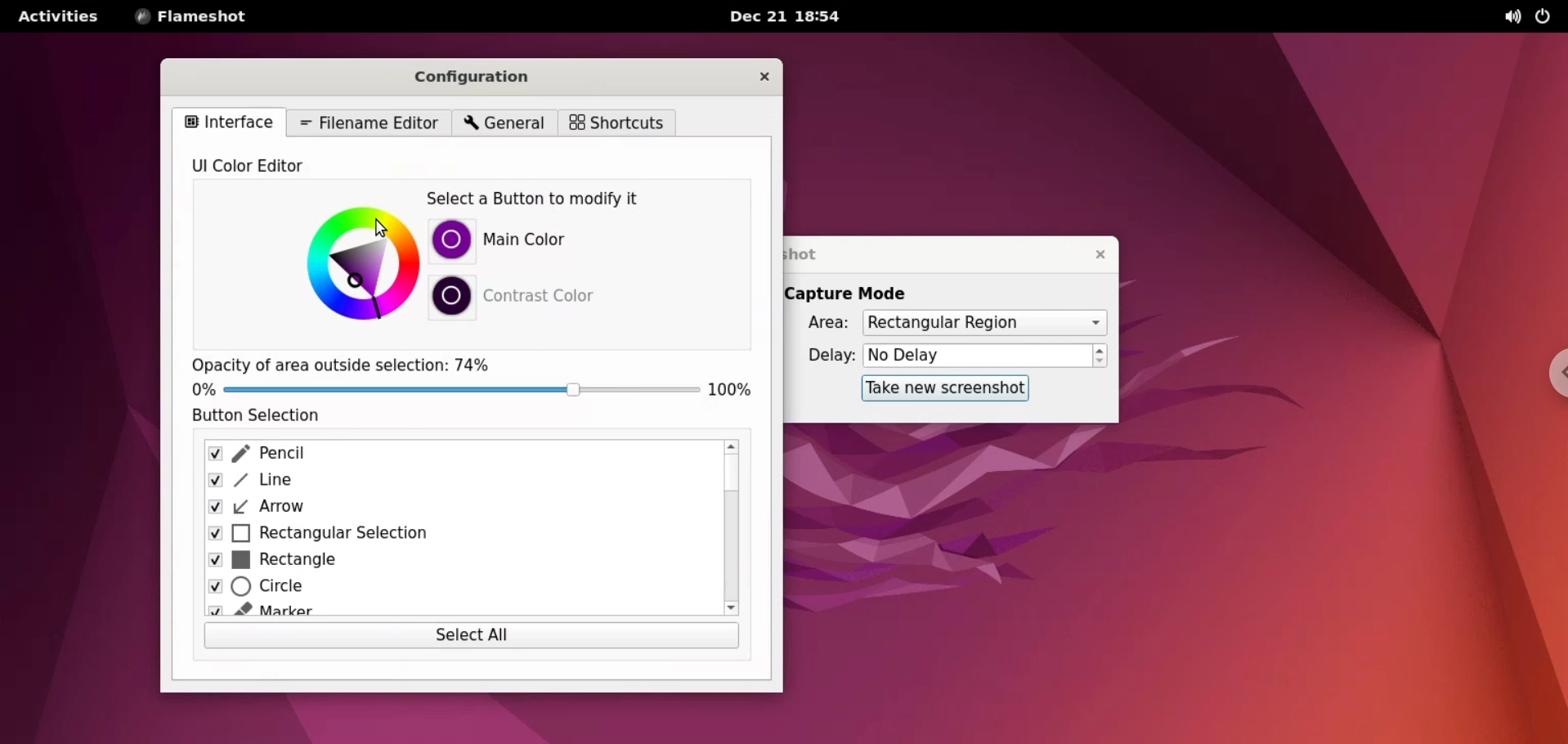 Image resolution: width=1568 pixels, height=744 pixels. I want to click on marker checkbox, so click(456, 612).